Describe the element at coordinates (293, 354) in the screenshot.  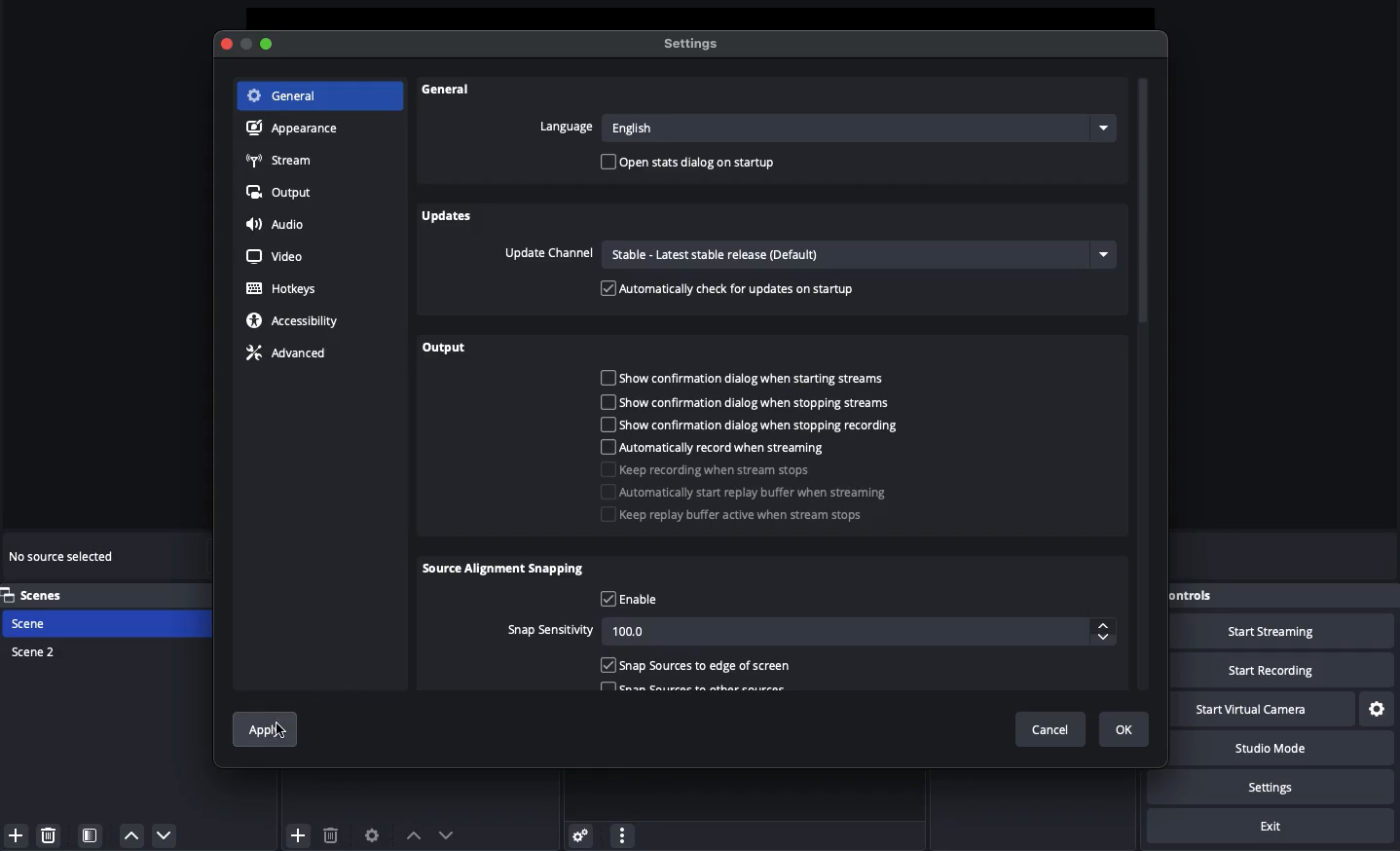
I see `Advanced` at that location.